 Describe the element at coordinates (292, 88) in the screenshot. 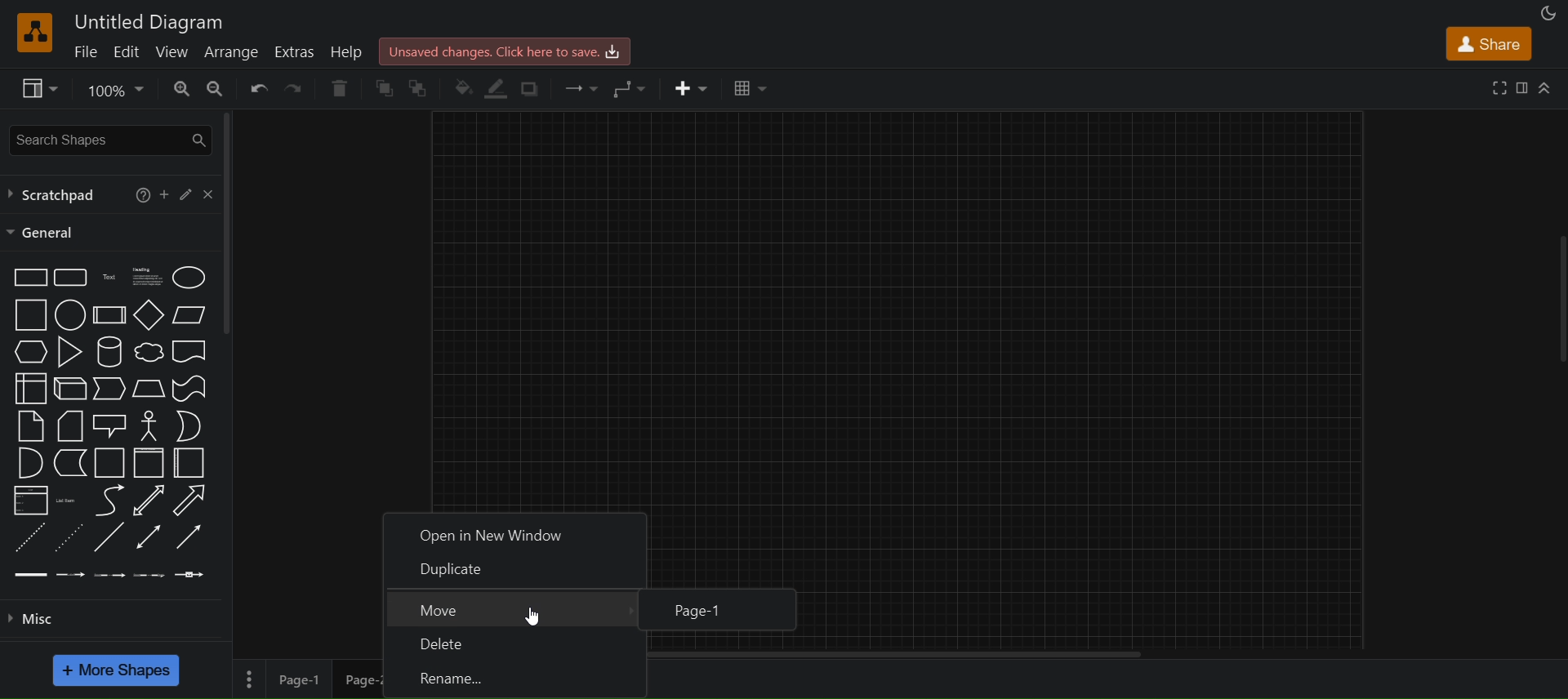

I see `redo` at that location.